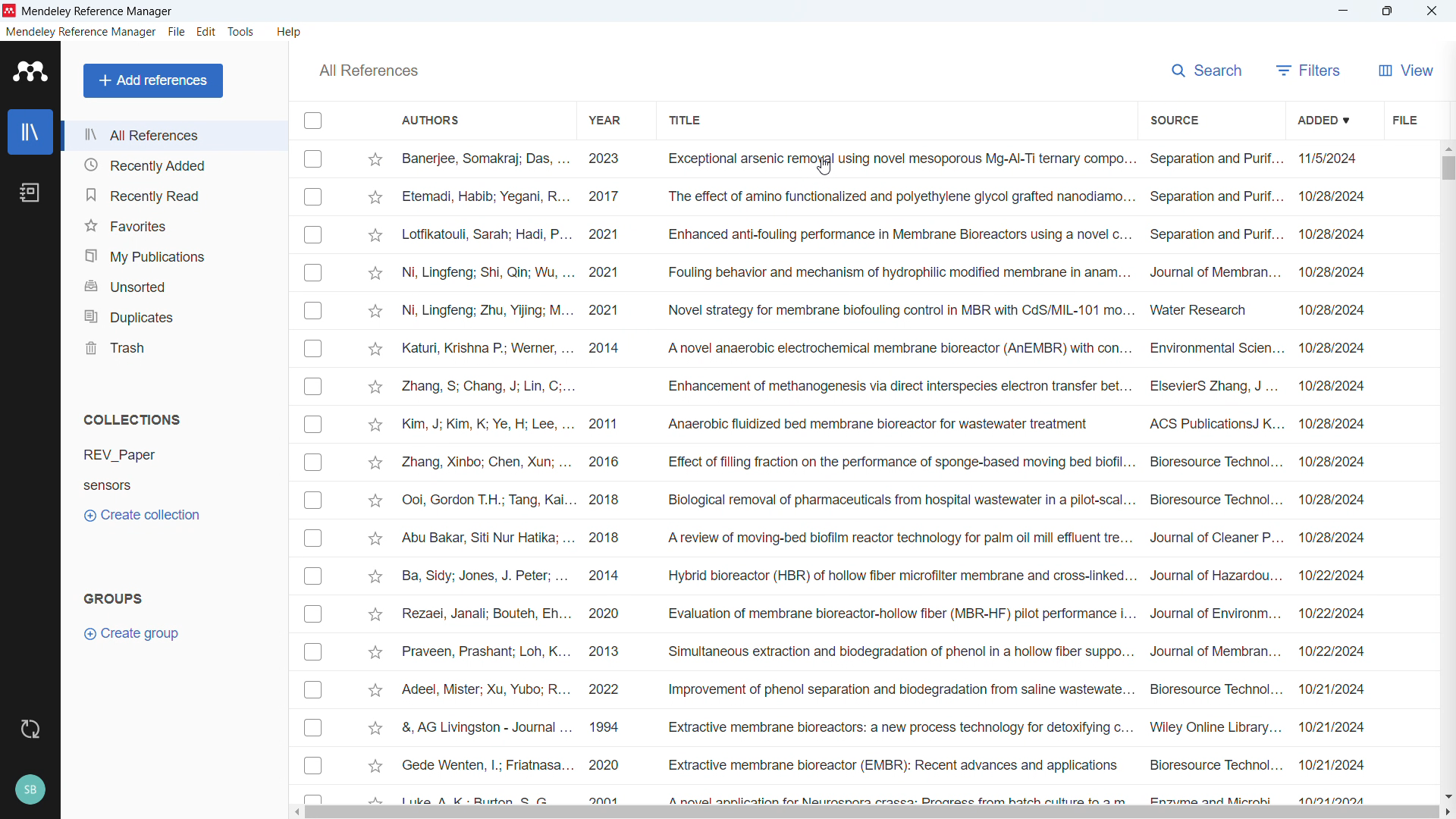 The image size is (1456, 819). I want to click on click to select individual ern, so click(315, 538).